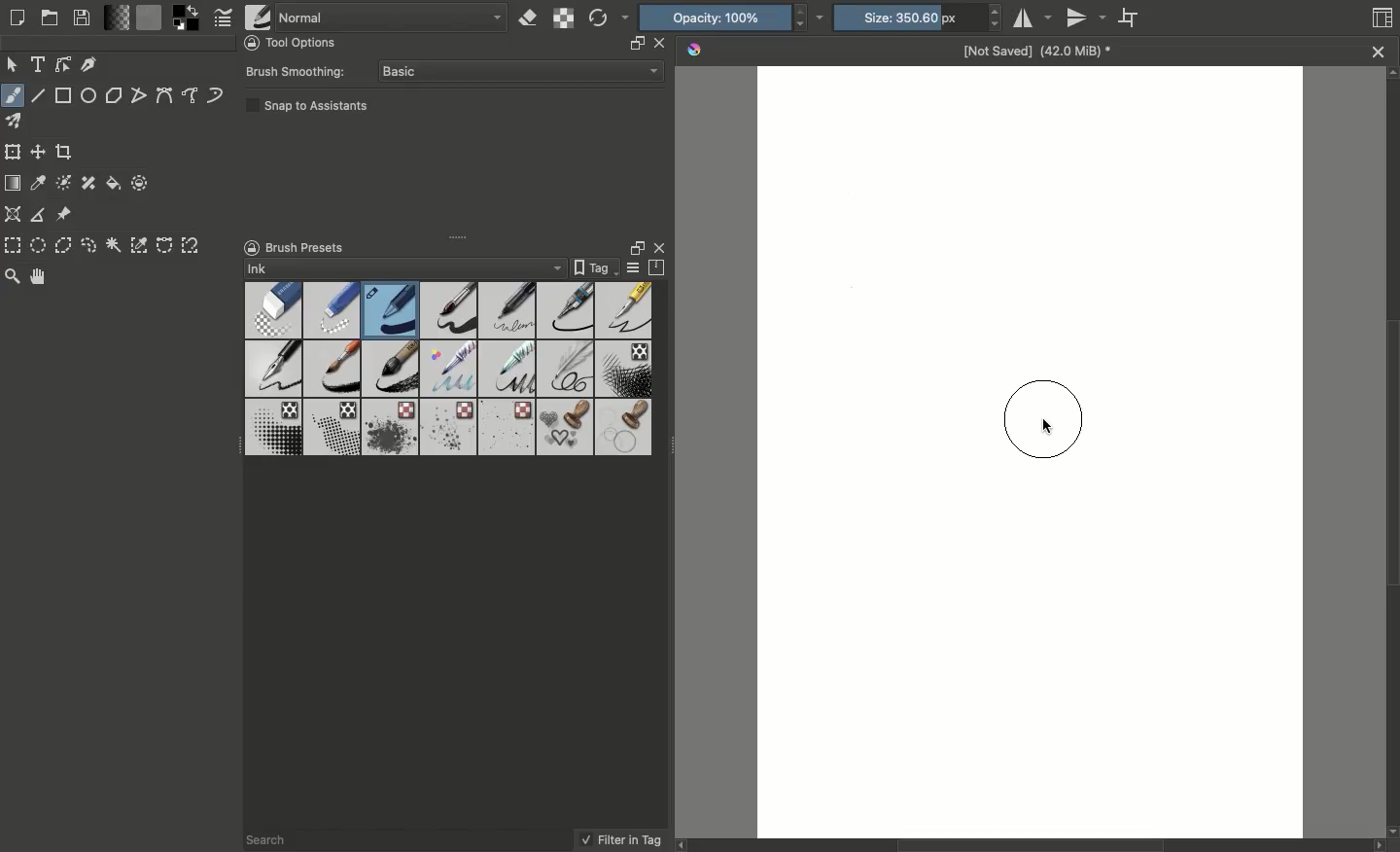 The height and width of the screenshot is (852, 1400). What do you see at coordinates (16, 18) in the screenshot?
I see `Create` at bounding box center [16, 18].